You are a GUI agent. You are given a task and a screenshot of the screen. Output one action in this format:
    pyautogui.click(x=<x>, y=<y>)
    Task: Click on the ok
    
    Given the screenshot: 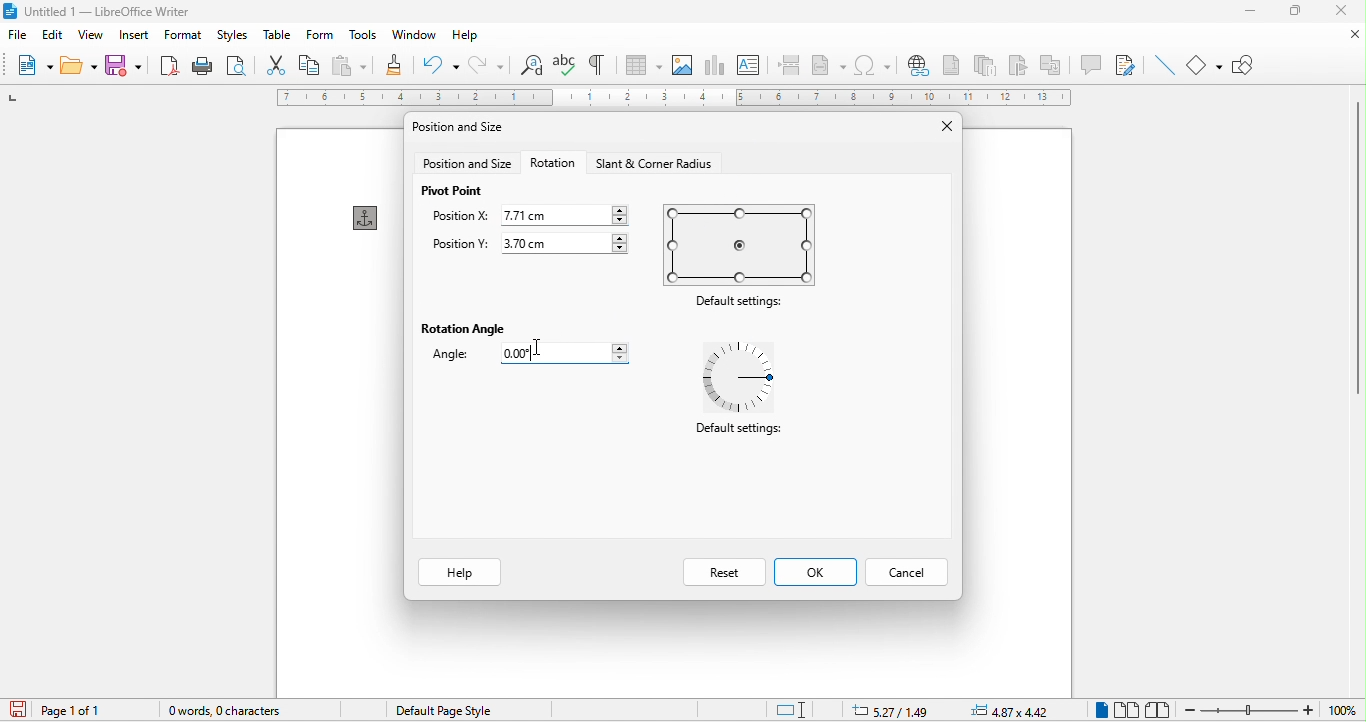 What is the action you would take?
    pyautogui.click(x=813, y=574)
    